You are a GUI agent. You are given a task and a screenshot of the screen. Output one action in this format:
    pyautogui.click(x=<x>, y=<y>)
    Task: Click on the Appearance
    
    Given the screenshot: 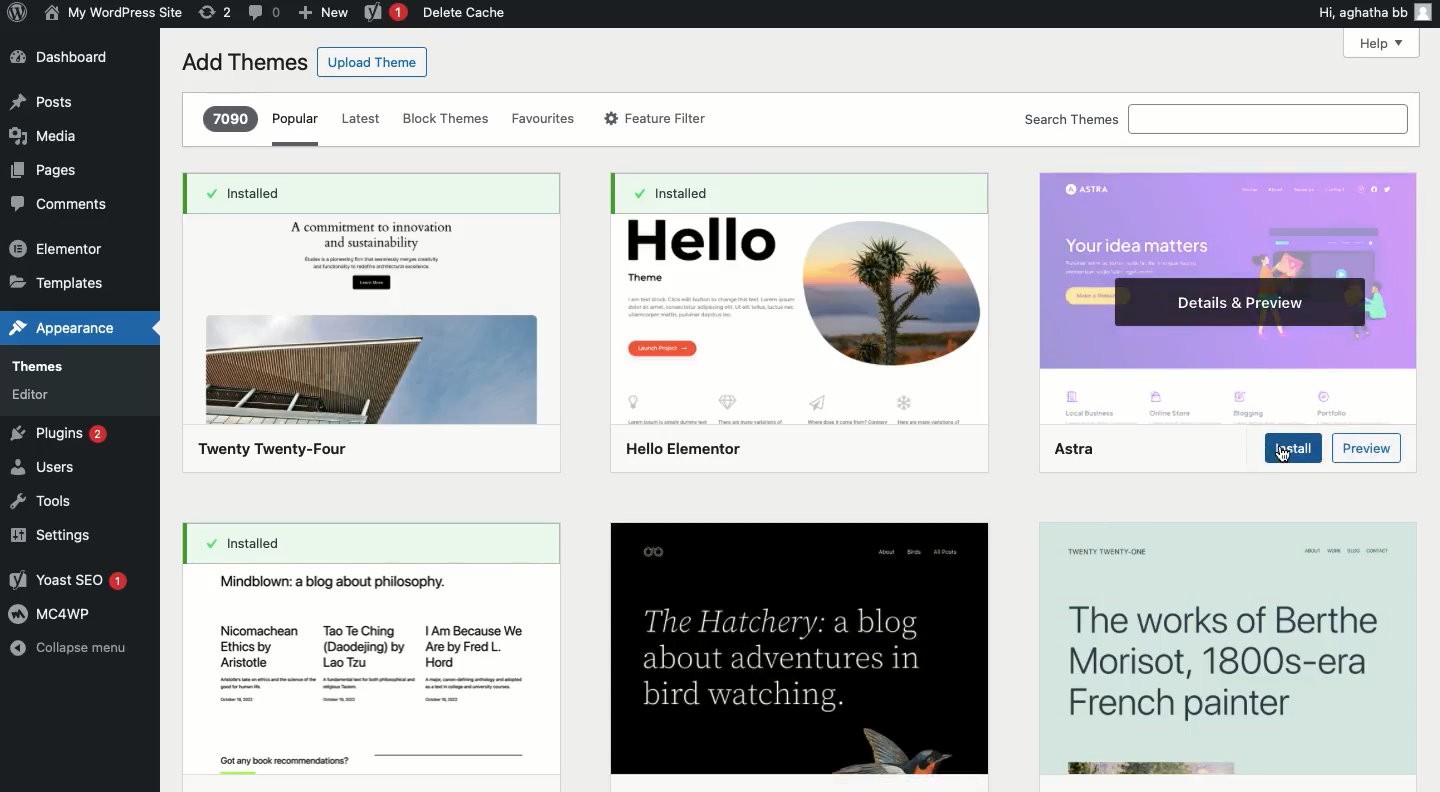 What is the action you would take?
    pyautogui.click(x=62, y=325)
    